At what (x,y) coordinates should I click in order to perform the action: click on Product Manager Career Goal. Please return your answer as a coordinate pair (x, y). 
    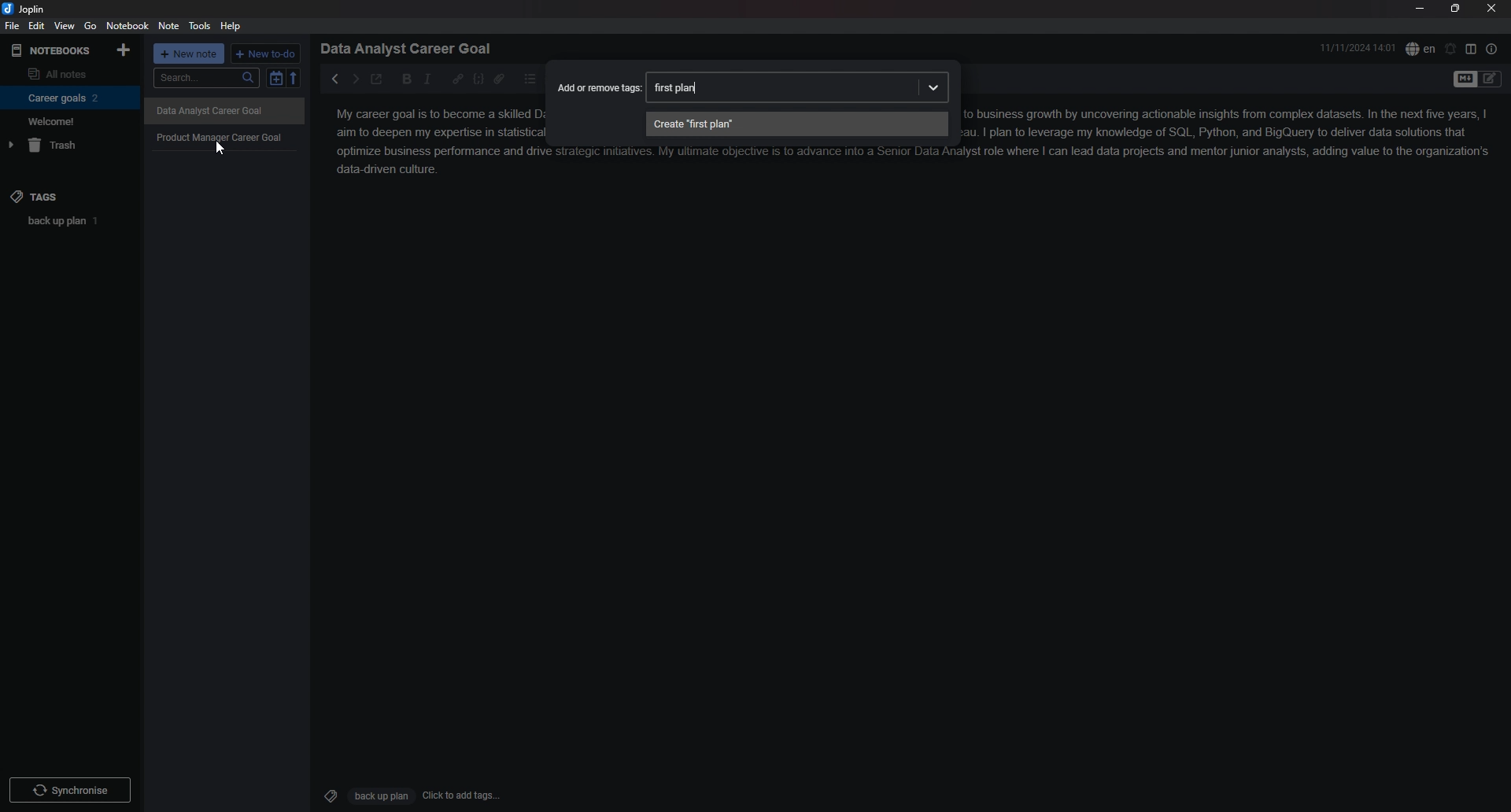
    Looking at the image, I should click on (228, 139).